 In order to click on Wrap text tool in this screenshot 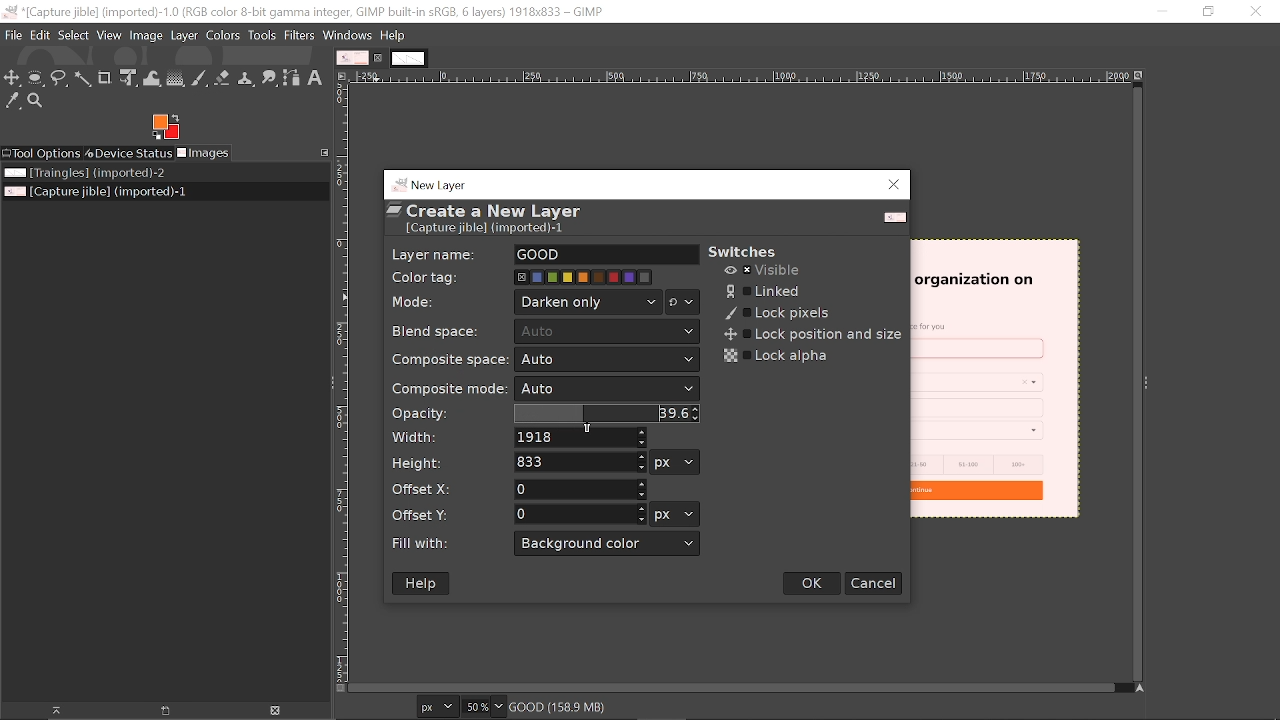, I will do `click(152, 78)`.